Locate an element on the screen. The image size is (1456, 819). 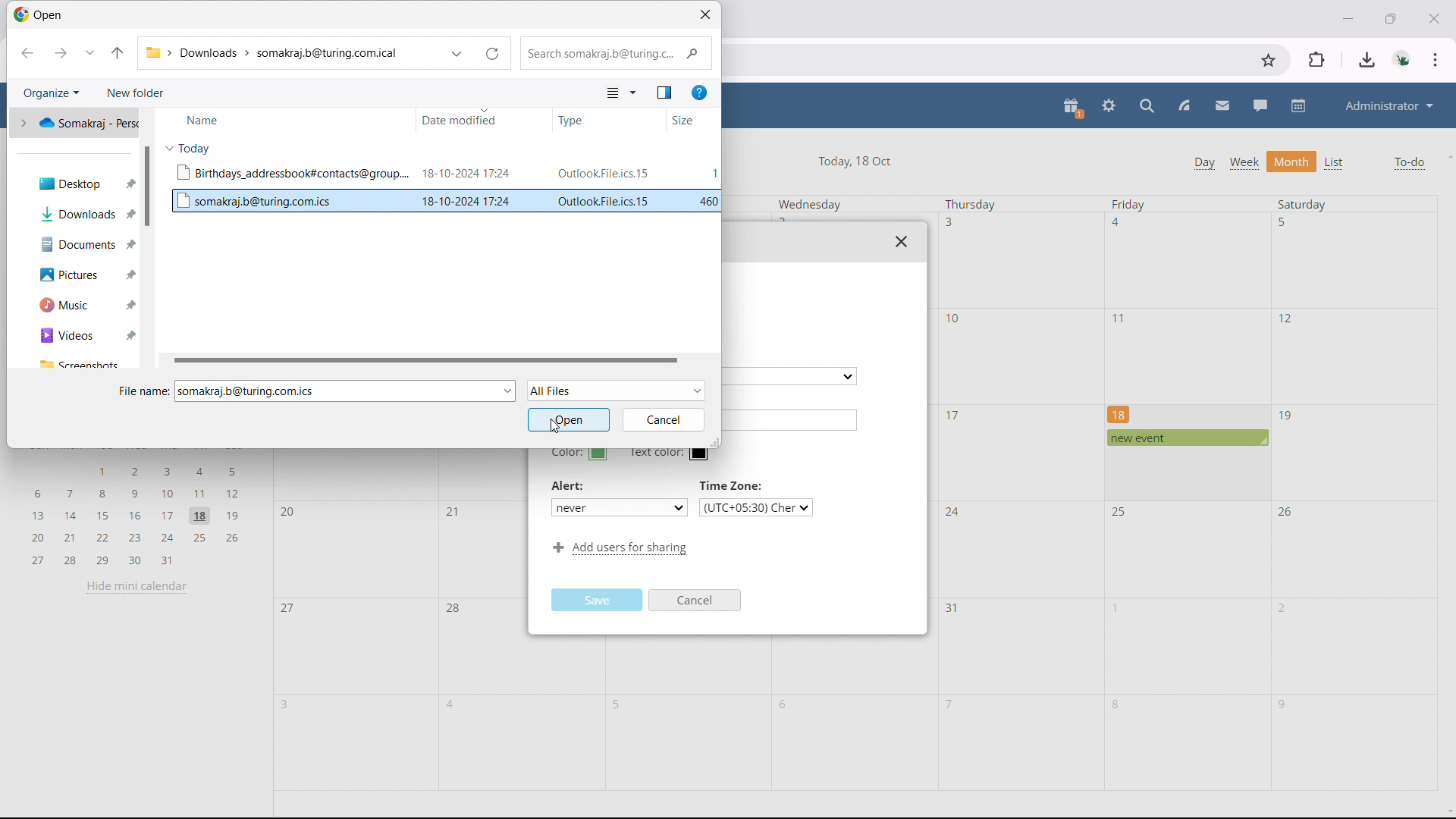
size is located at coordinates (693, 120).